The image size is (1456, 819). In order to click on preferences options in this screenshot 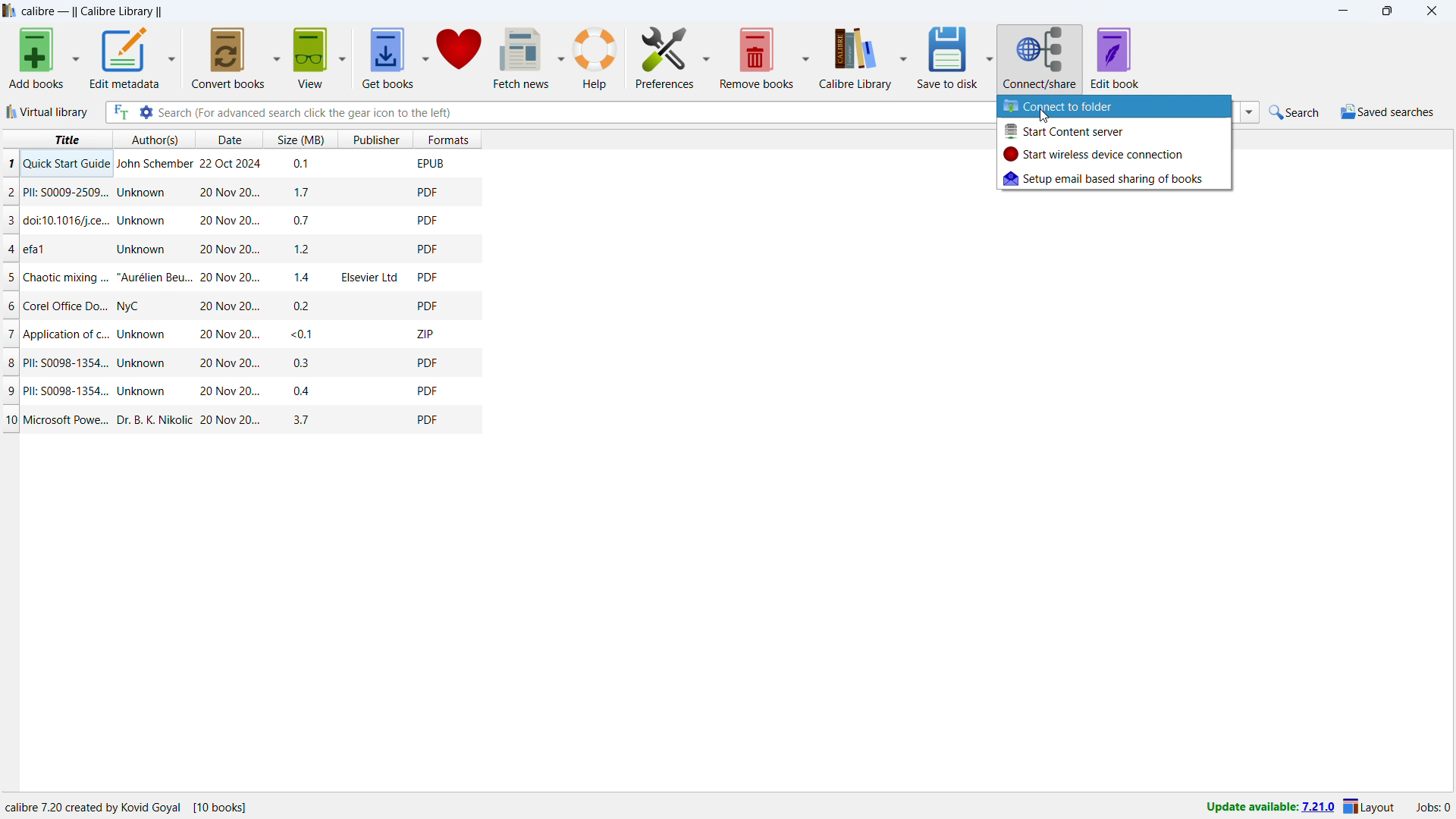, I will do `click(707, 56)`.